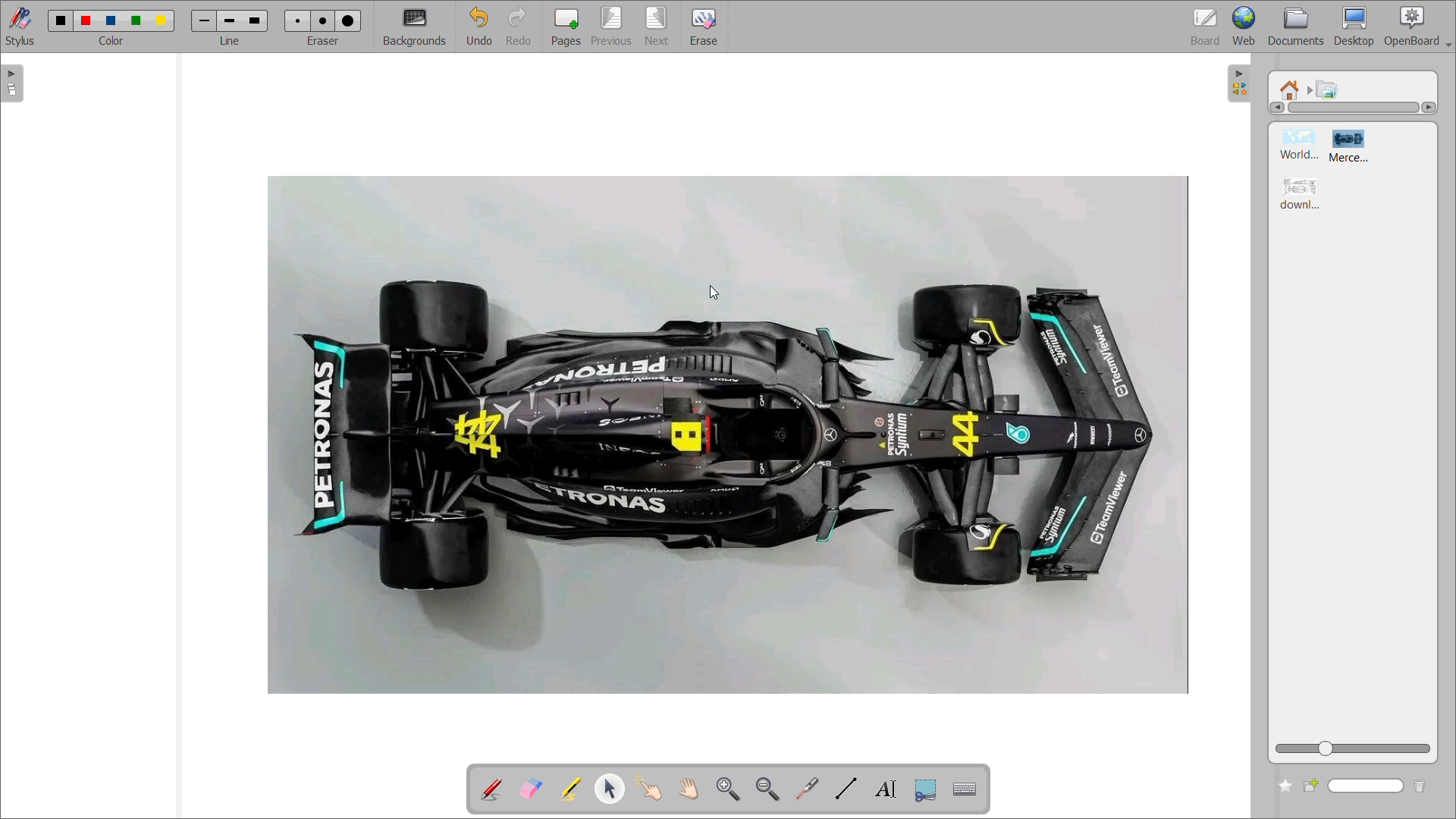 This screenshot has height=819, width=1456. What do you see at coordinates (1283, 789) in the screenshot?
I see `add to favorites` at bounding box center [1283, 789].